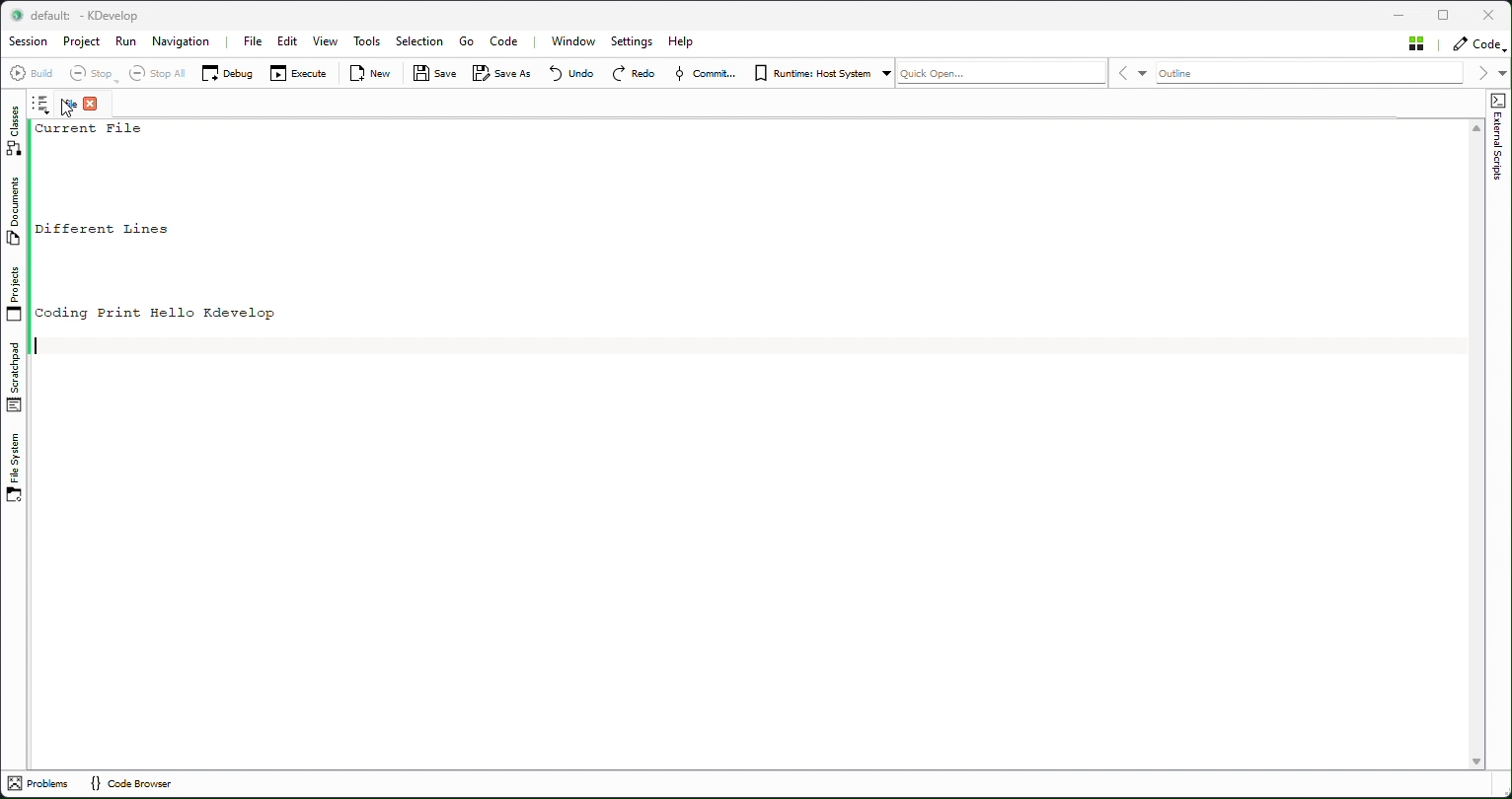  I want to click on Go, so click(469, 42).